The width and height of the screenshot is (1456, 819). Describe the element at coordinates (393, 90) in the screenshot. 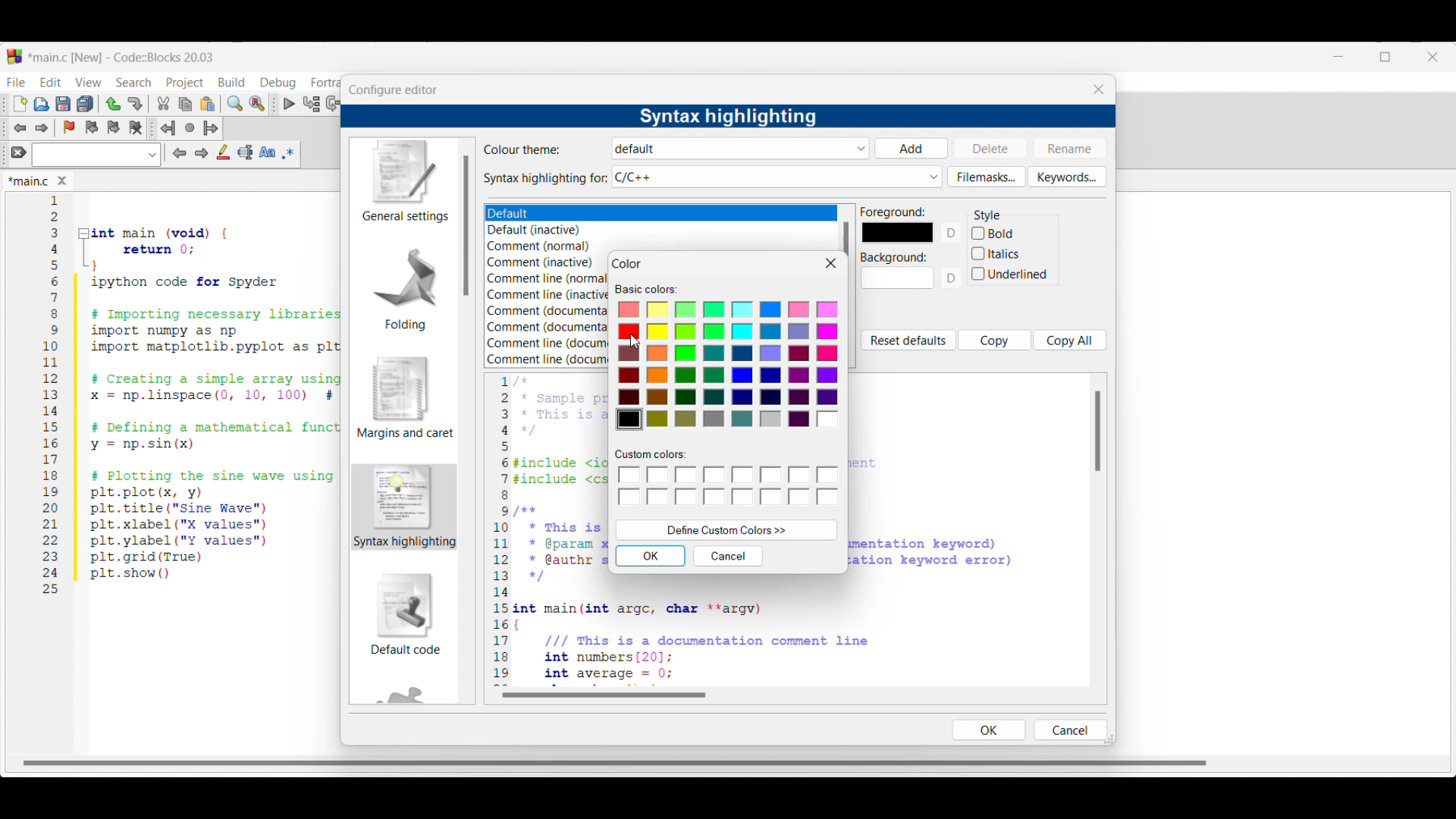

I see `Window title` at that location.